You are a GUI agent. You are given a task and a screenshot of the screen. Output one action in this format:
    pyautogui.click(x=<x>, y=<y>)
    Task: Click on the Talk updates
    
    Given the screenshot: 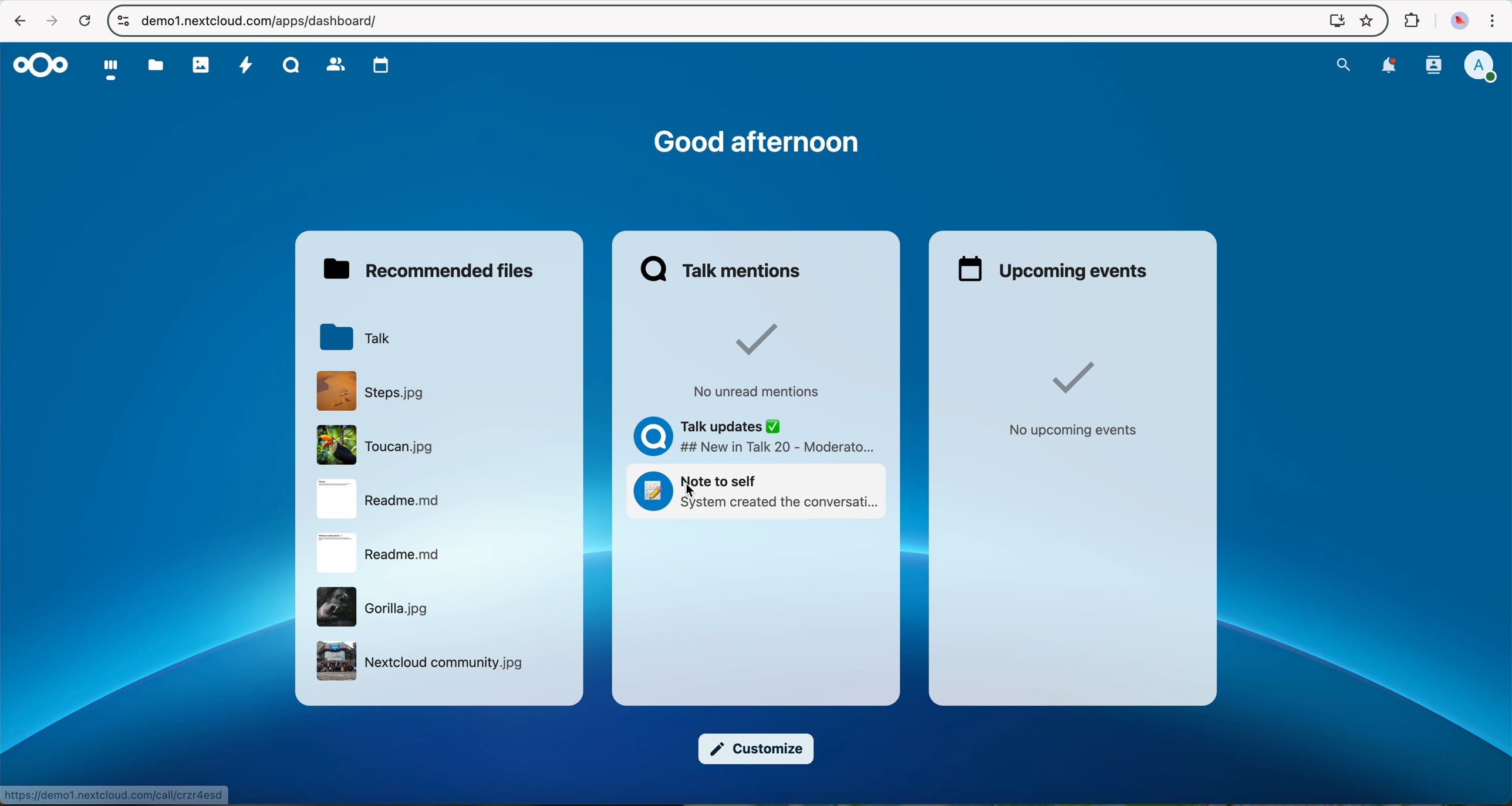 What is the action you would take?
    pyautogui.click(x=750, y=433)
    